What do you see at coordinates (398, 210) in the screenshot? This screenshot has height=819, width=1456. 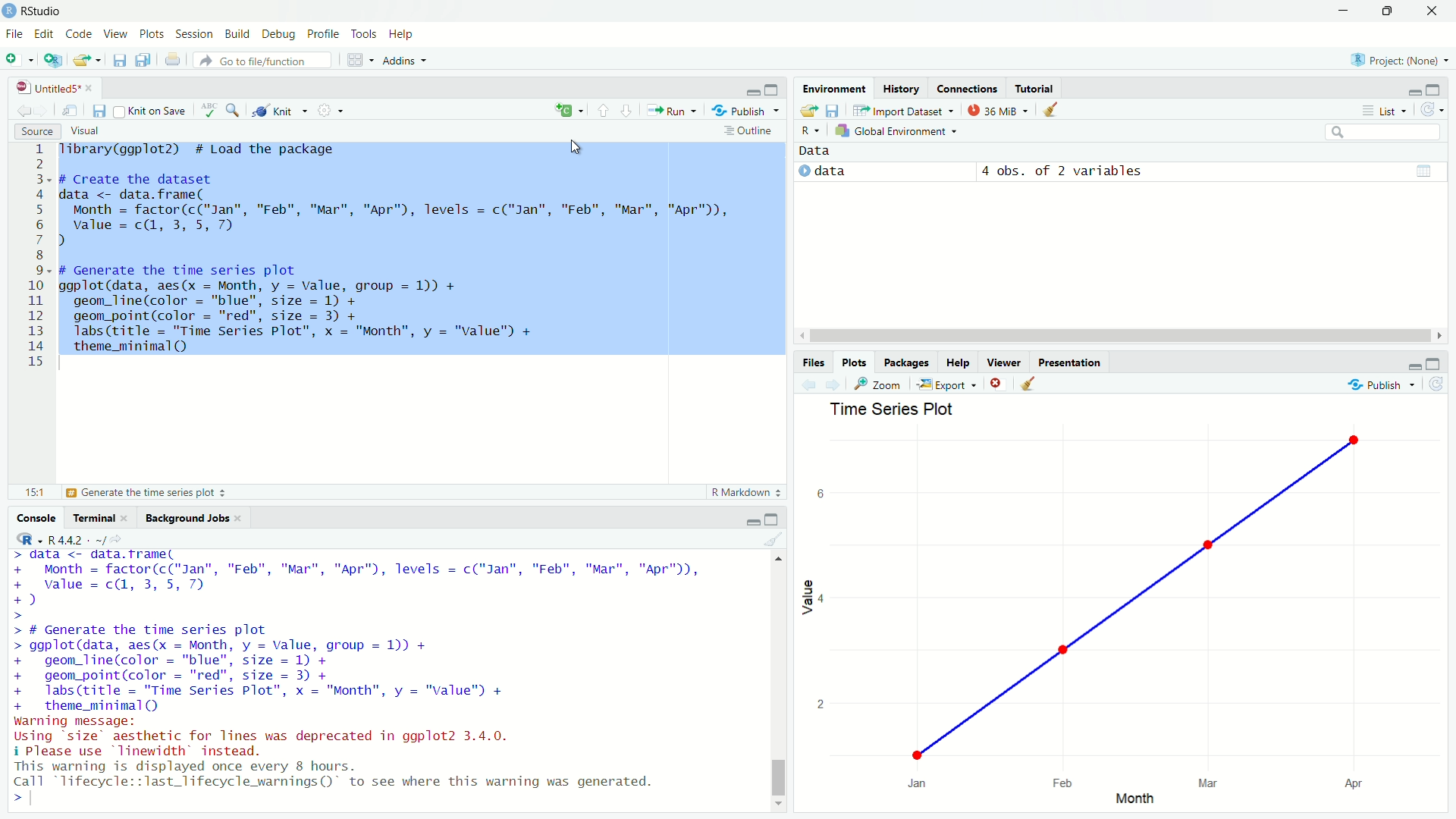 I see `code to create the dataset` at bounding box center [398, 210].